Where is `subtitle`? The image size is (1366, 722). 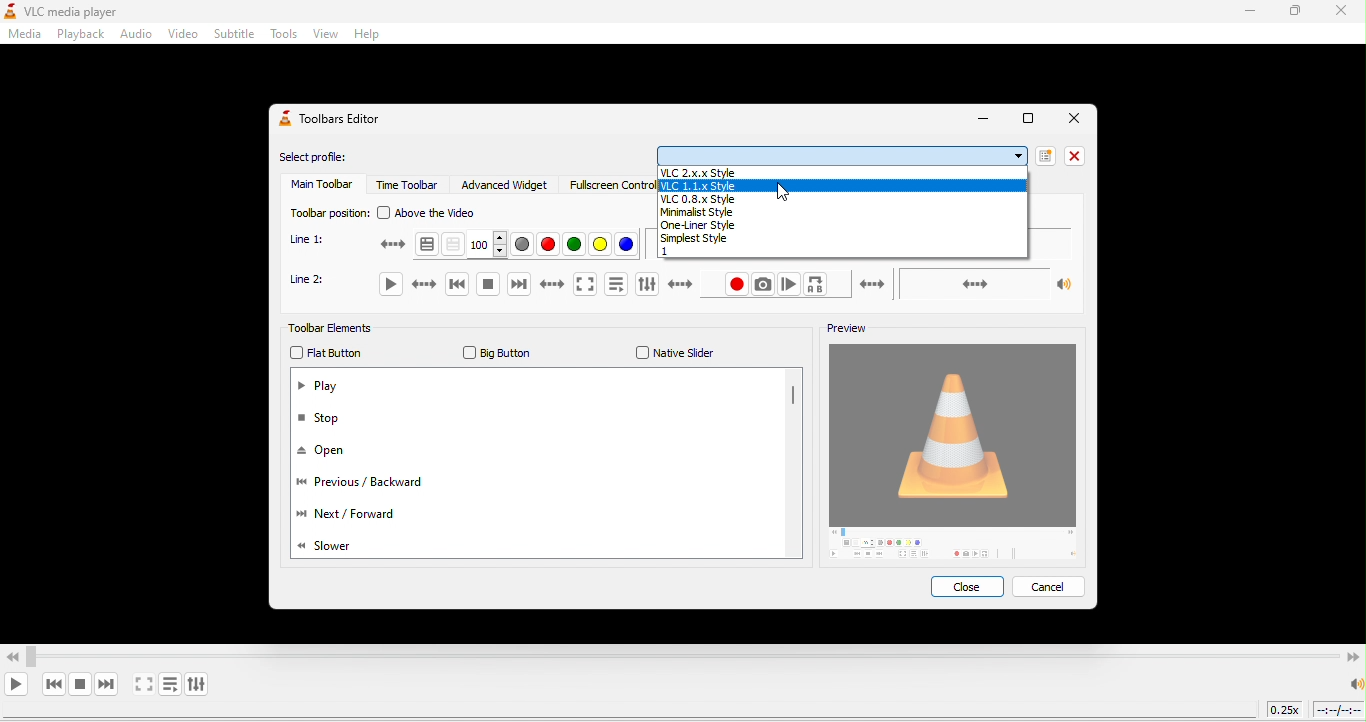
subtitle is located at coordinates (234, 35).